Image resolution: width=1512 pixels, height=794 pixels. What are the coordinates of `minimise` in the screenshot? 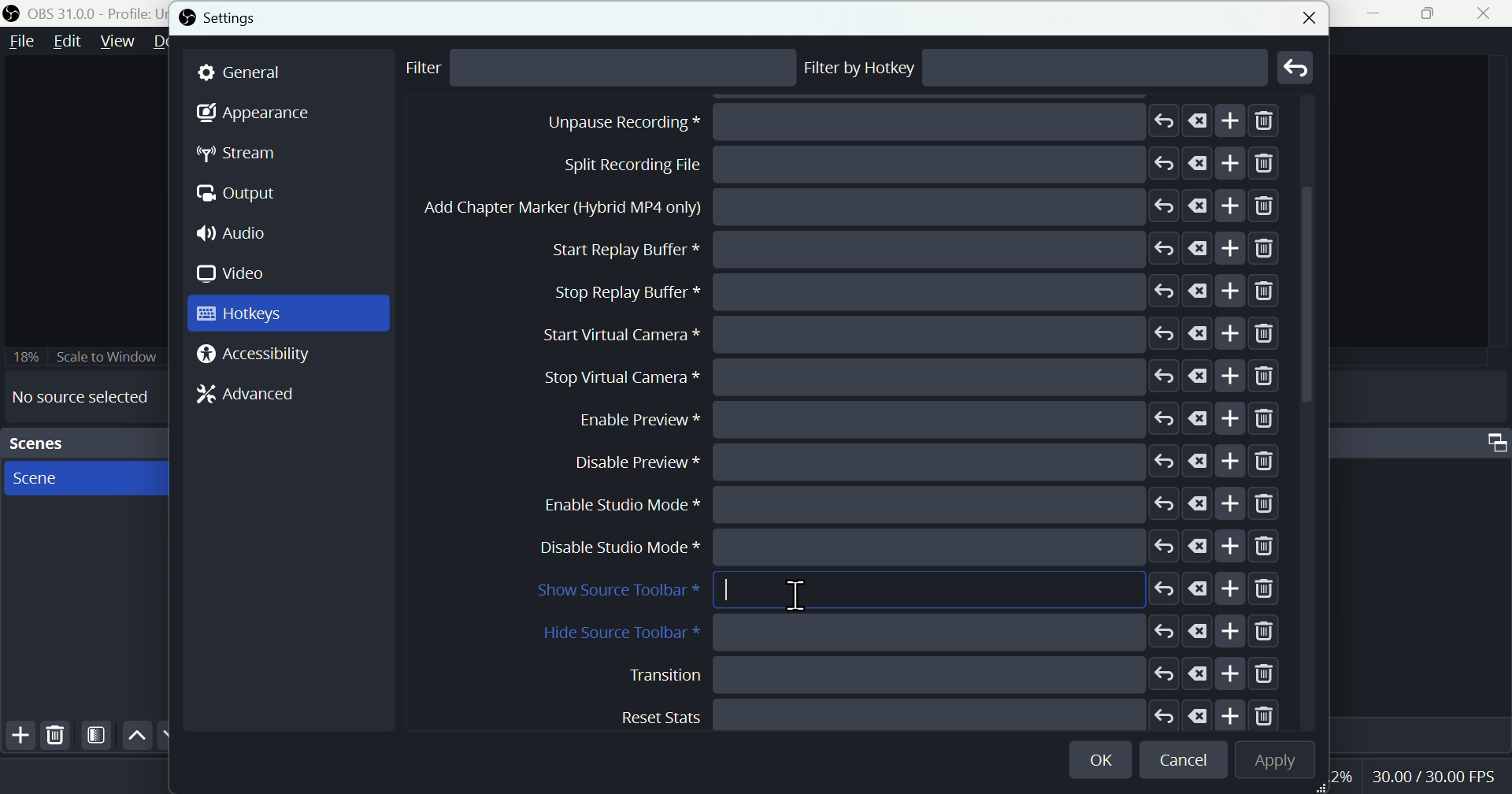 It's located at (1380, 13).